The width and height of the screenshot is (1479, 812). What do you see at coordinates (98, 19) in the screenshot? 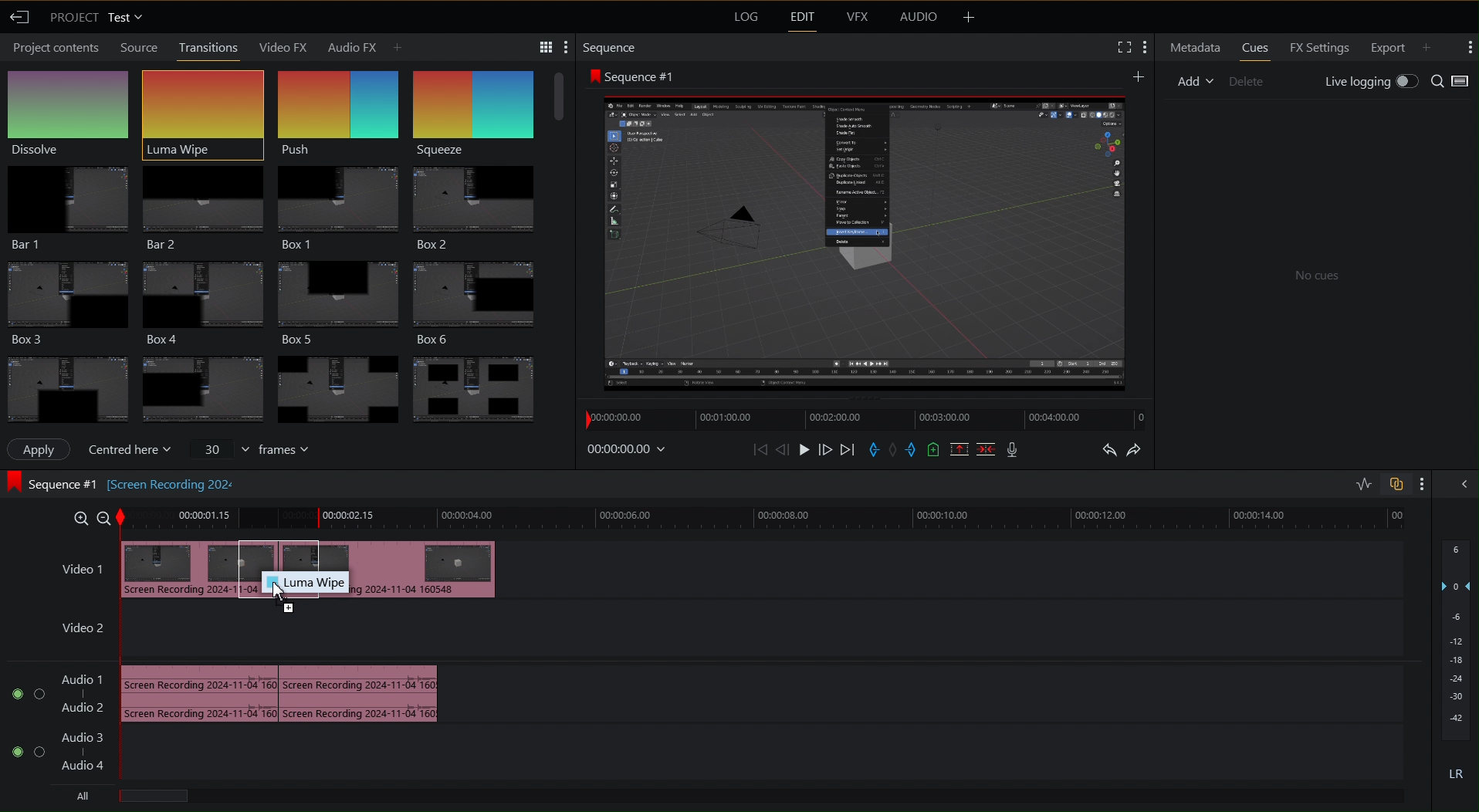
I see `Project Test` at bounding box center [98, 19].